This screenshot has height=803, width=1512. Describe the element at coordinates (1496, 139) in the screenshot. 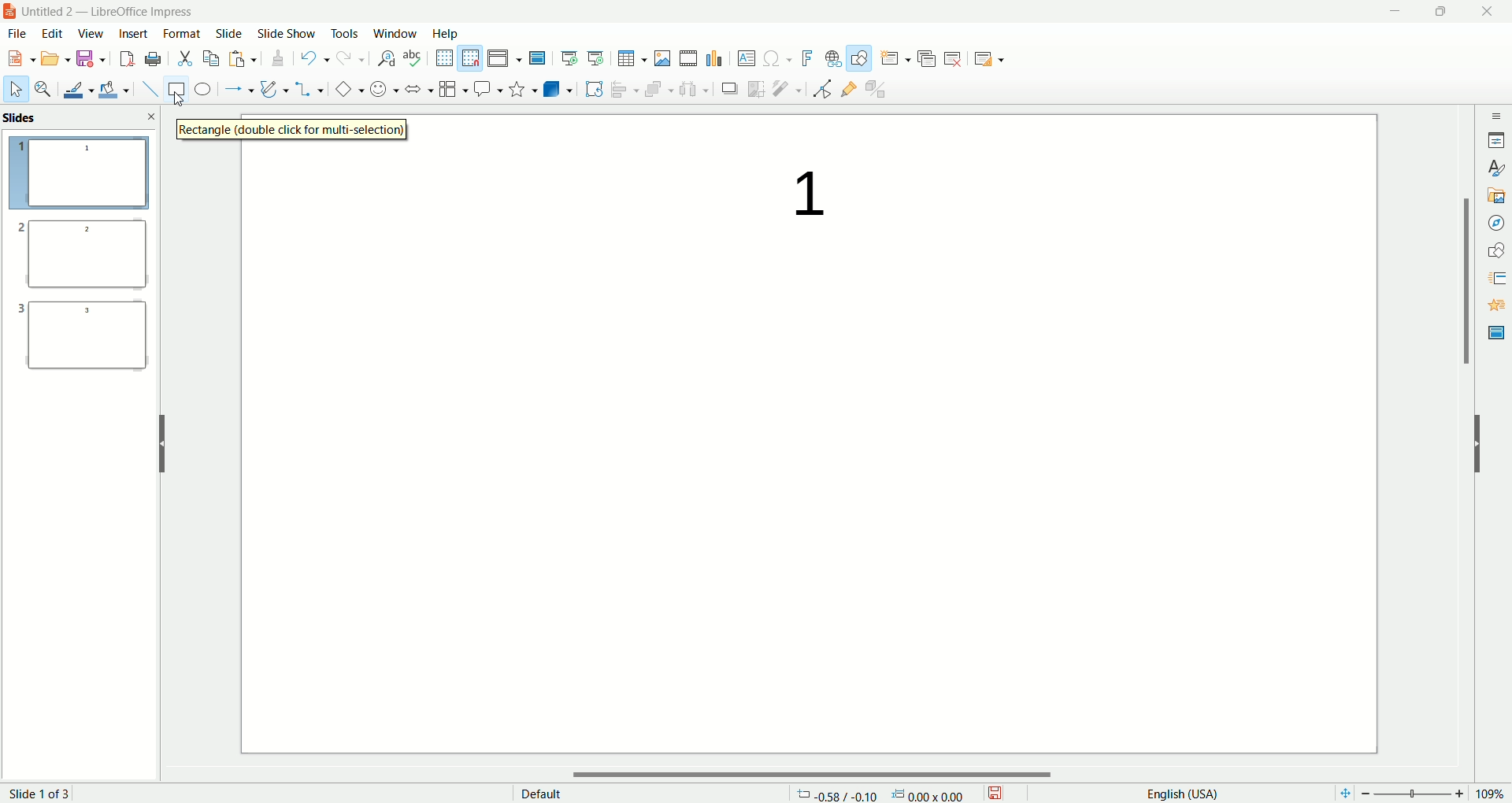

I see `properties` at that location.